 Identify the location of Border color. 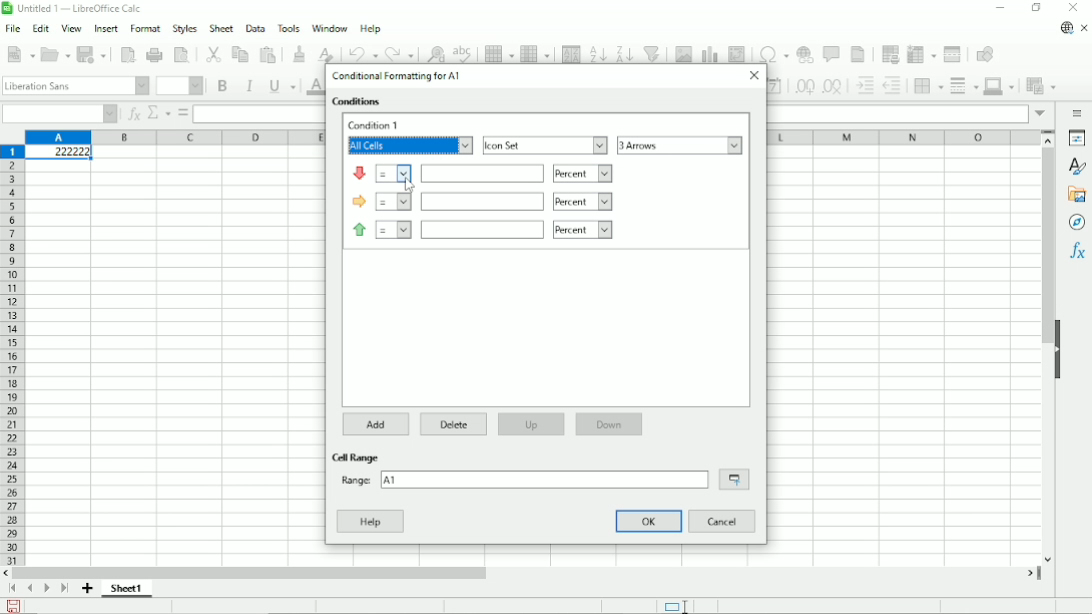
(1001, 86).